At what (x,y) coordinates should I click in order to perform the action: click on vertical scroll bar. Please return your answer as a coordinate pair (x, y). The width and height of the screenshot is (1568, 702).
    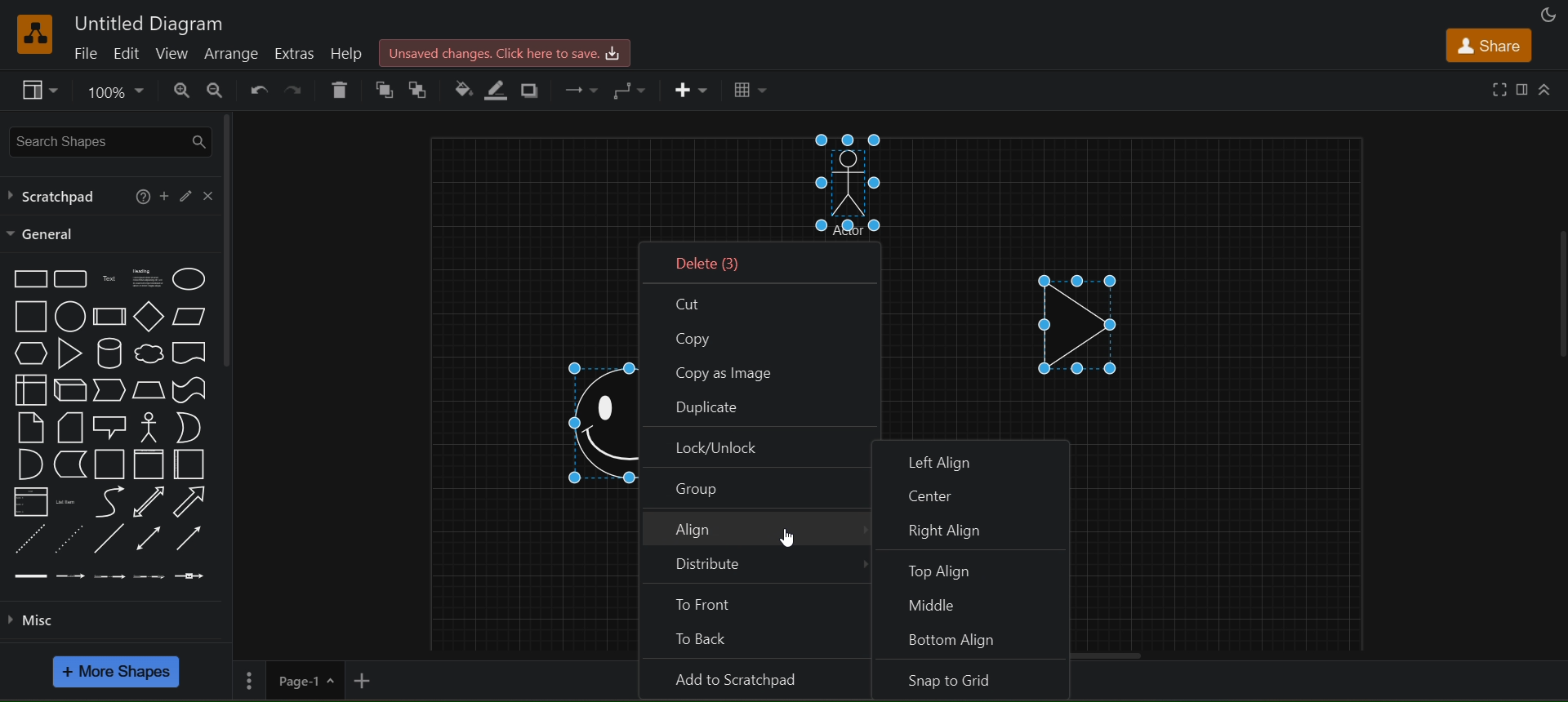
    Looking at the image, I should click on (231, 238).